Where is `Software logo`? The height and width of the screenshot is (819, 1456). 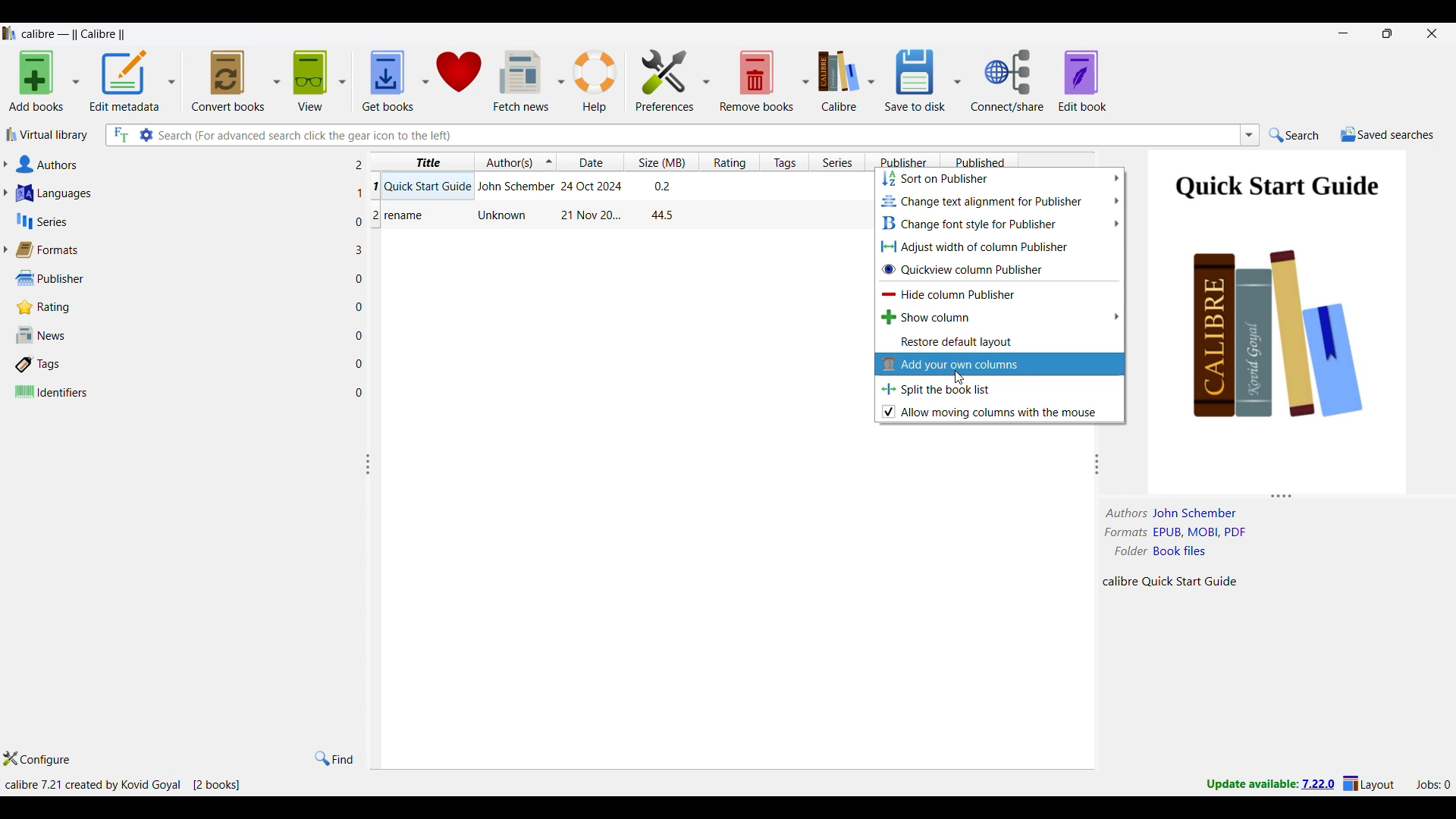 Software logo is located at coordinates (10, 33).